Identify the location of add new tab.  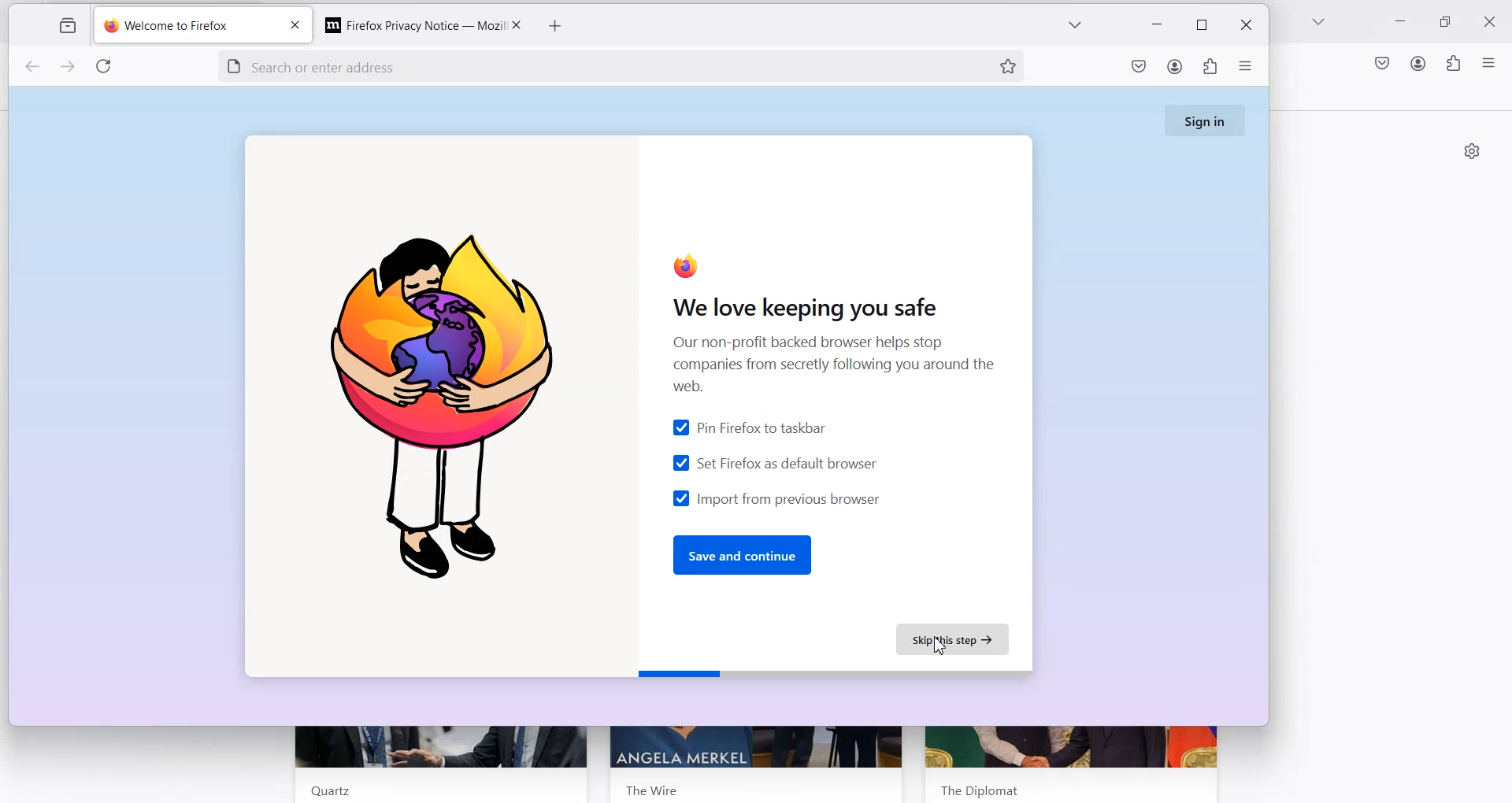
(556, 27).